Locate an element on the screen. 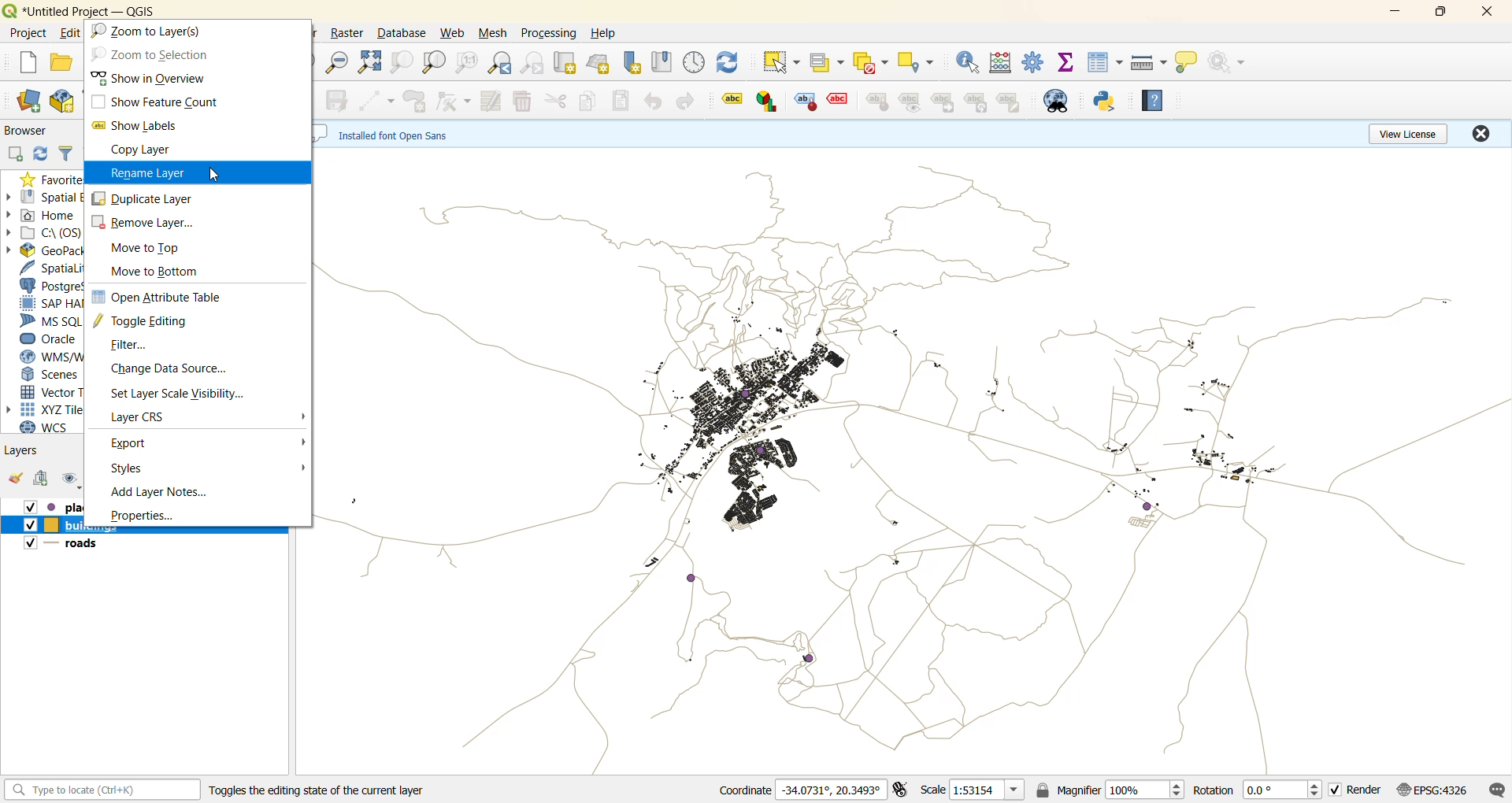 Image resolution: width=1512 pixels, height=803 pixels. add layer notes is located at coordinates (161, 494).